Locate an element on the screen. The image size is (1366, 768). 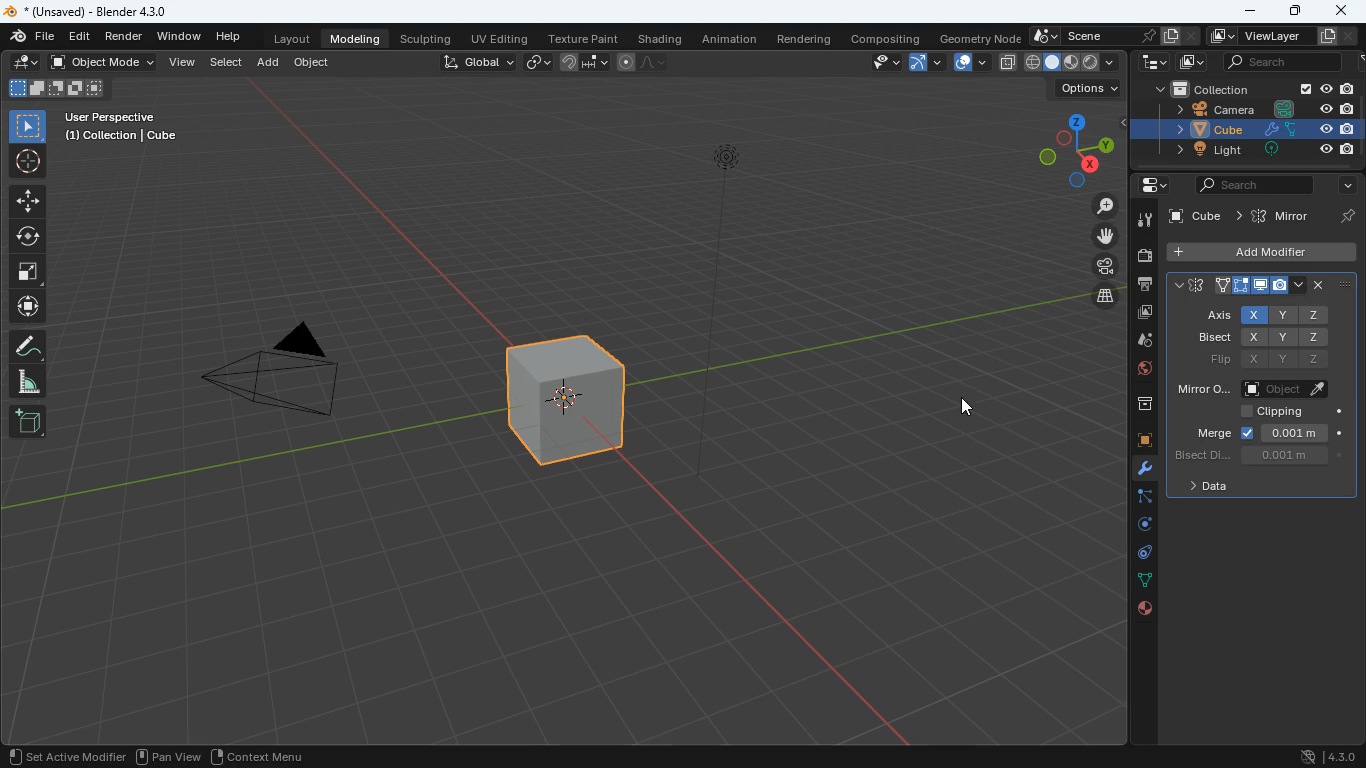
light is located at coordinates (1196, 150).